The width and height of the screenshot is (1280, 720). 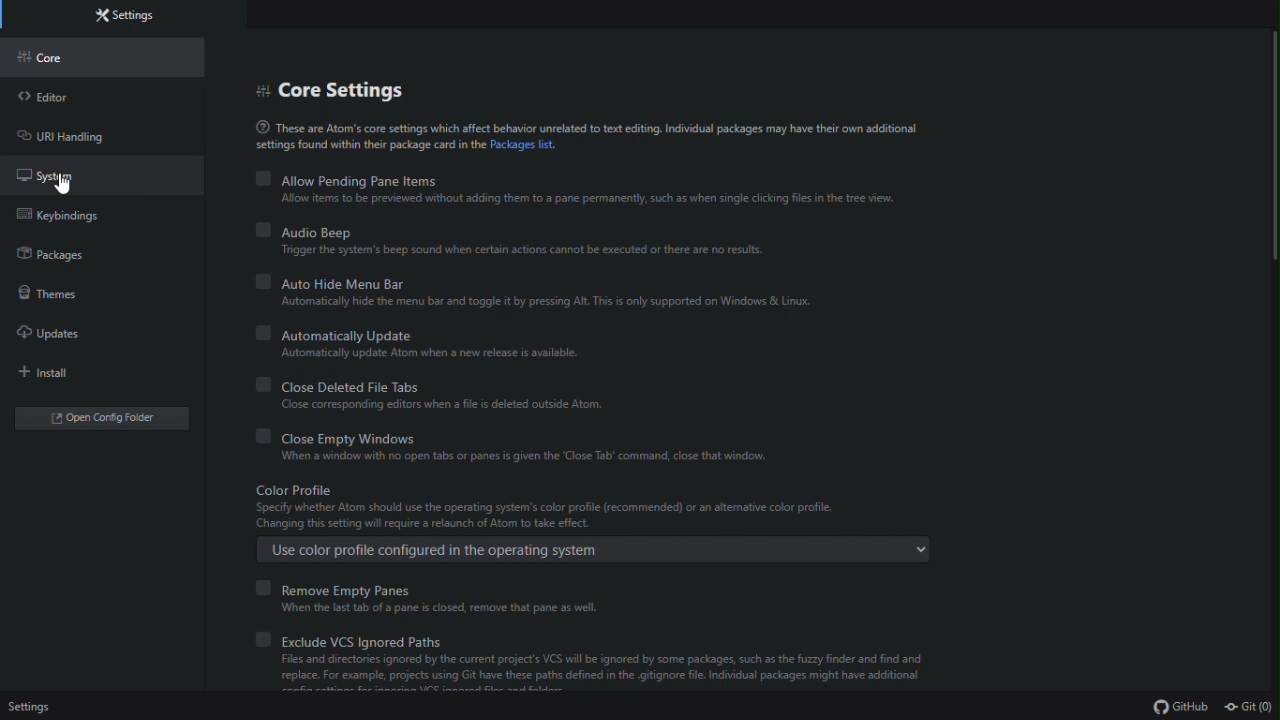 I want to click on Git Hub, so click(x=1171, y=707).